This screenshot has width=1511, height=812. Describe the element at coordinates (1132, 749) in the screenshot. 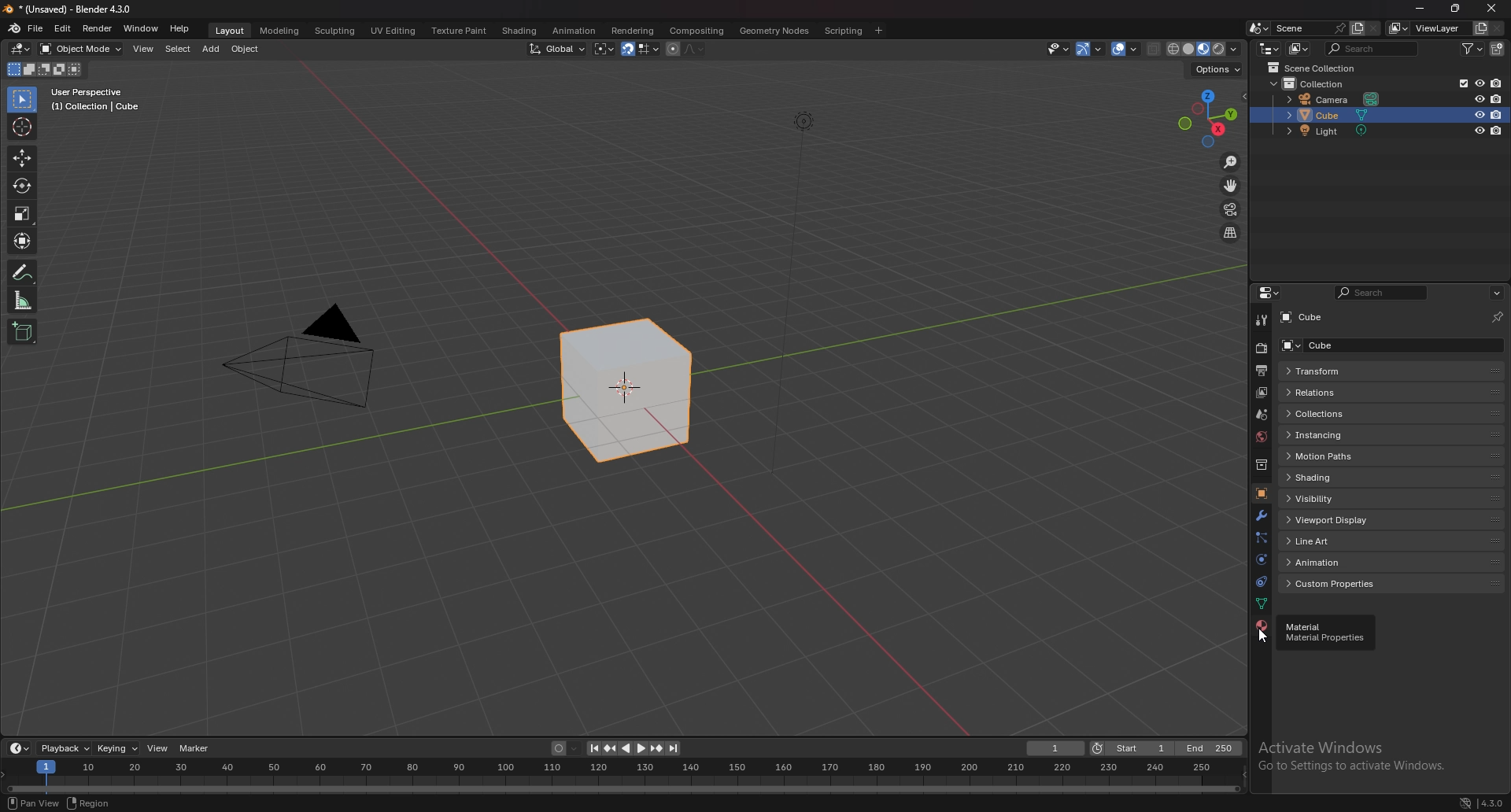

I see `start 1` at that location.